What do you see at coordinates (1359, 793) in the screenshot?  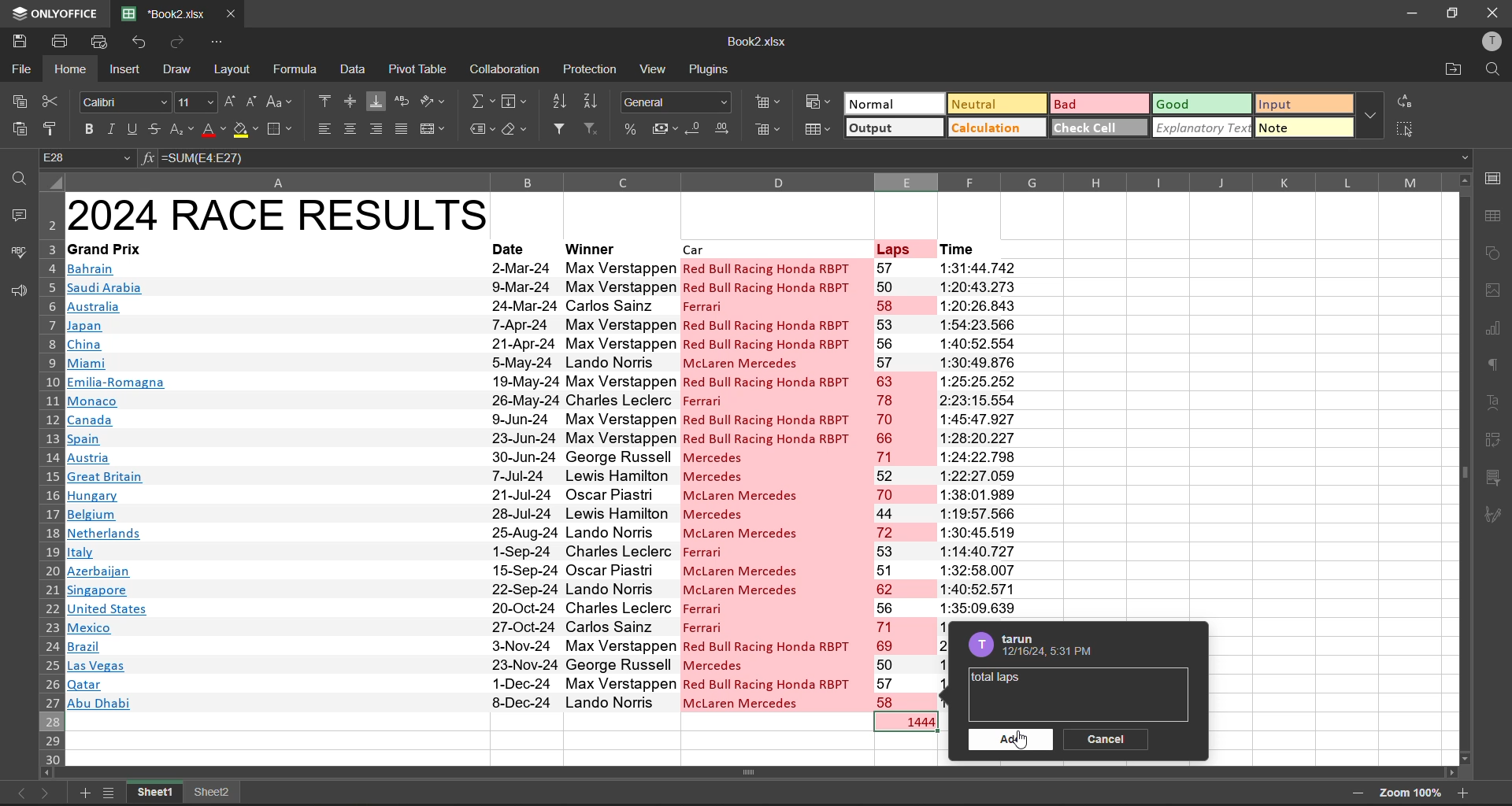 I see `zoom out` at bounding box center [1359, 793].